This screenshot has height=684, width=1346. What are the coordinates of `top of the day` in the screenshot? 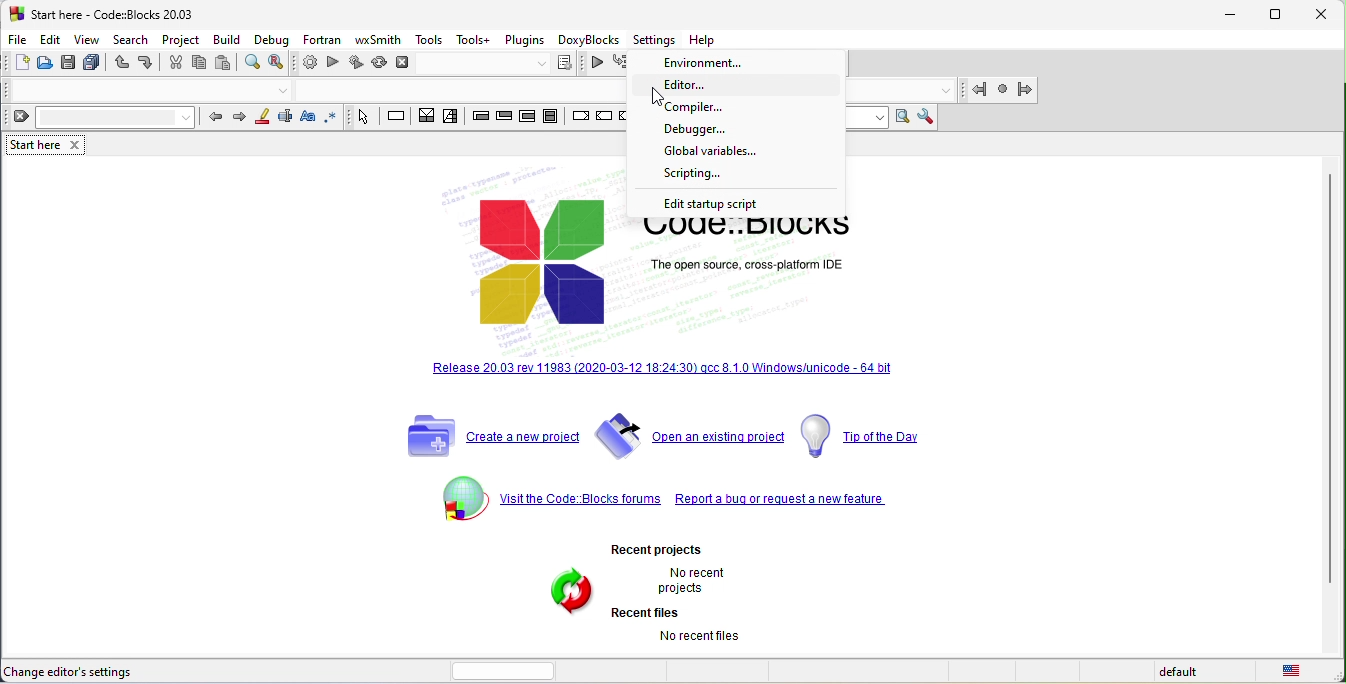 It's located at (868, 435).